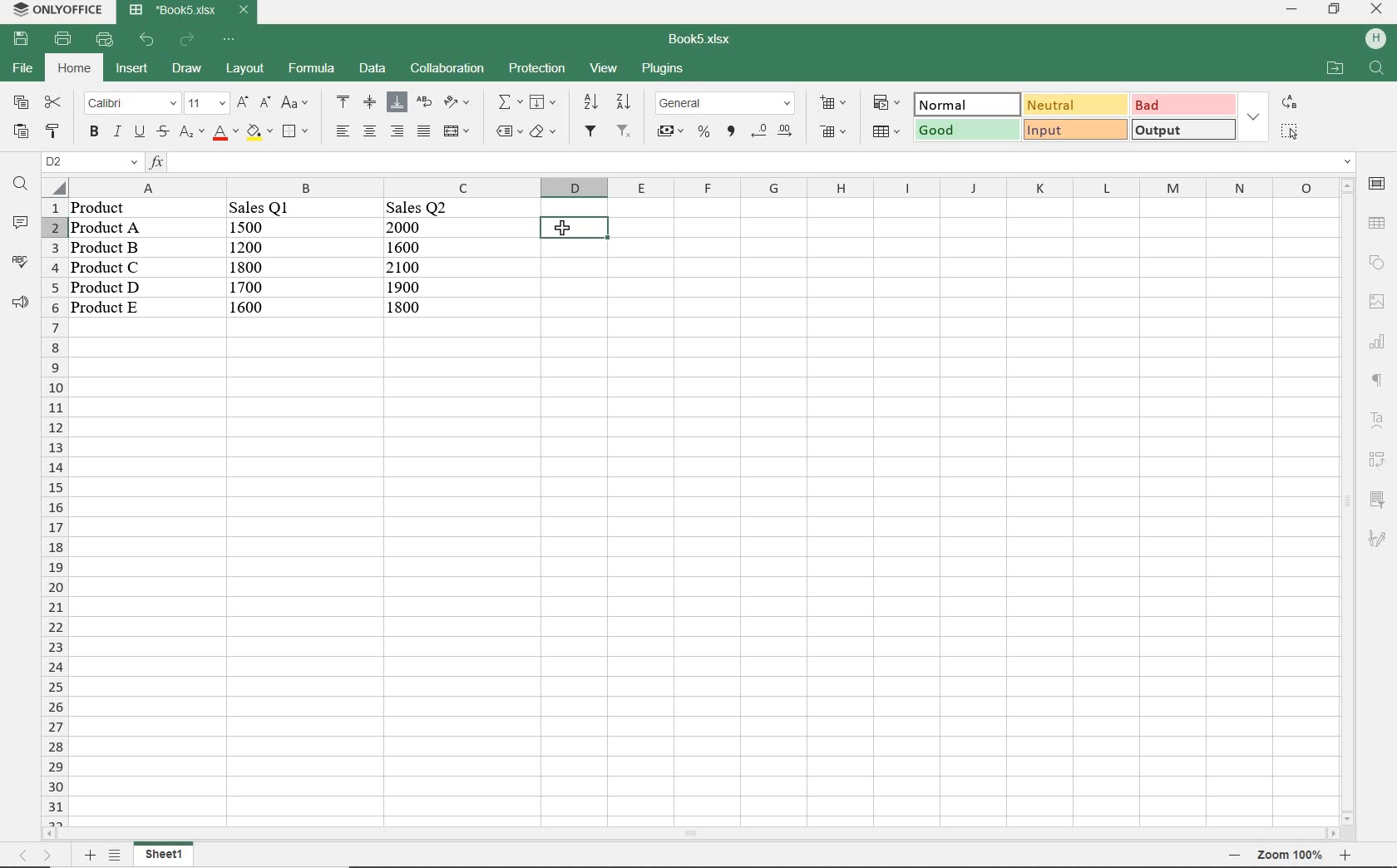 This screenshot has width=1397, height=868. I want to click on paste, so click(21, 131).